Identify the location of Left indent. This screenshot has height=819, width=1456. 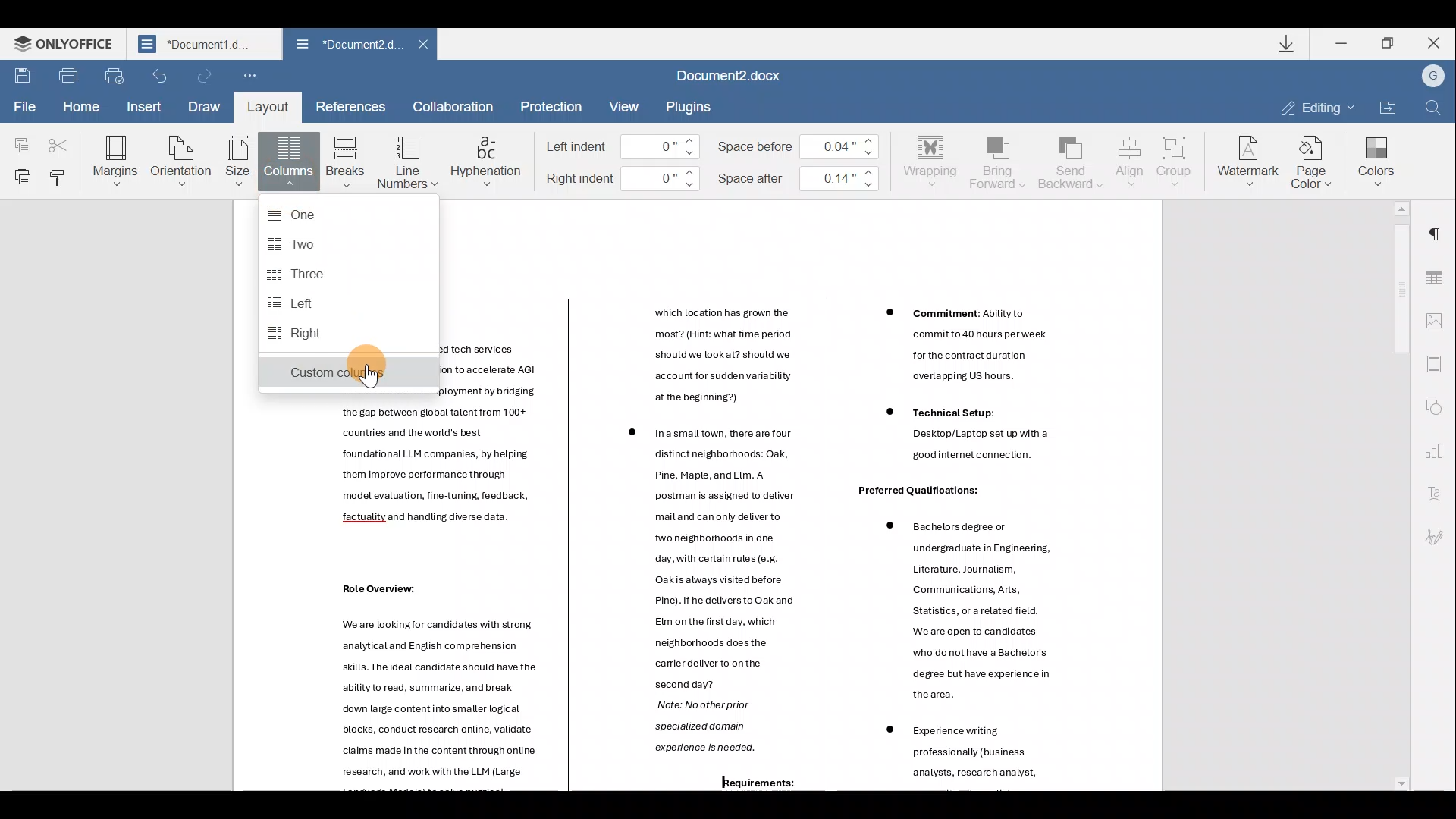
(623, 147).